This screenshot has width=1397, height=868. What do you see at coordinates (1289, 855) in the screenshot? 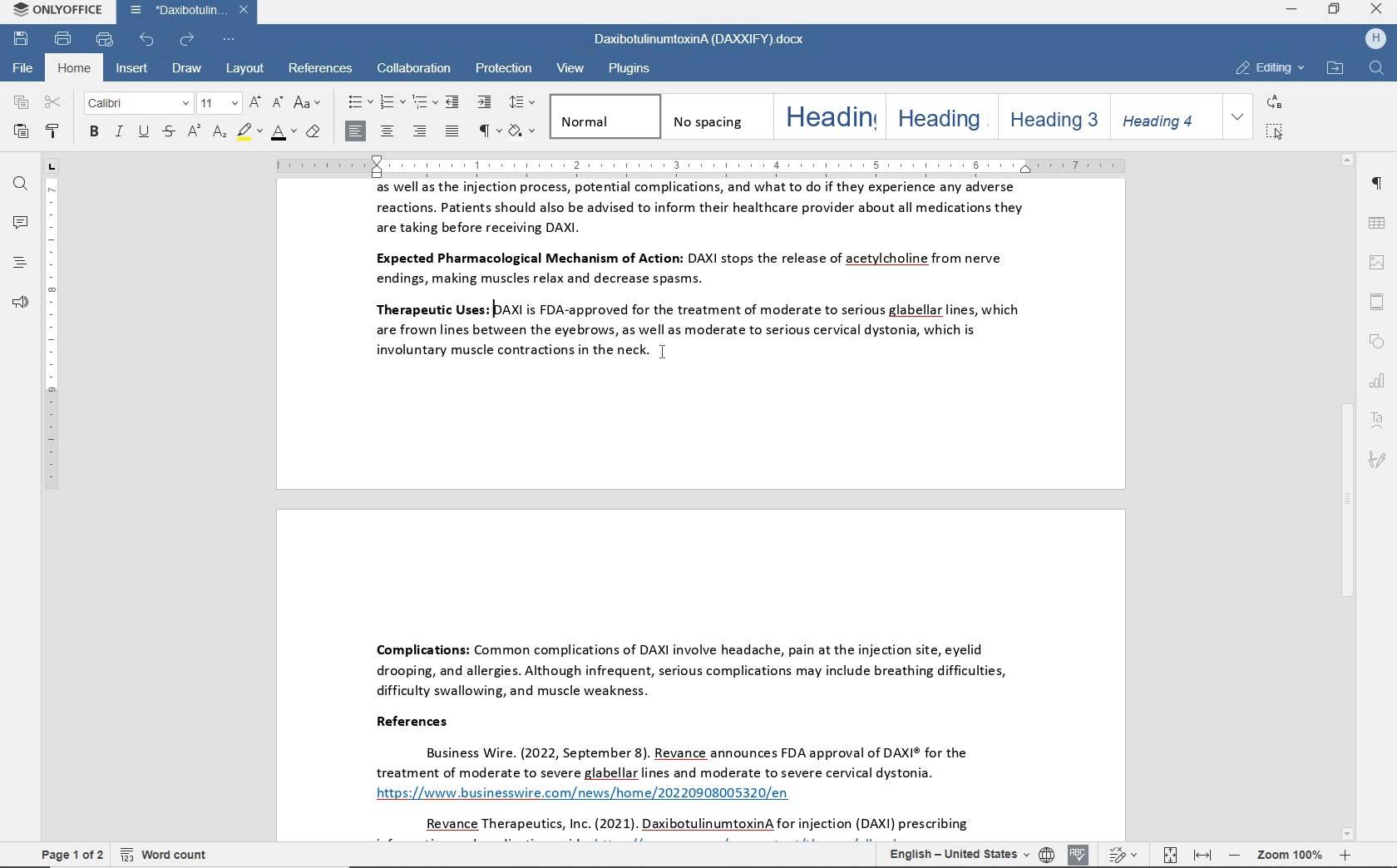
I see `zoom out or zoom in` at bounding box center [1289, 855].